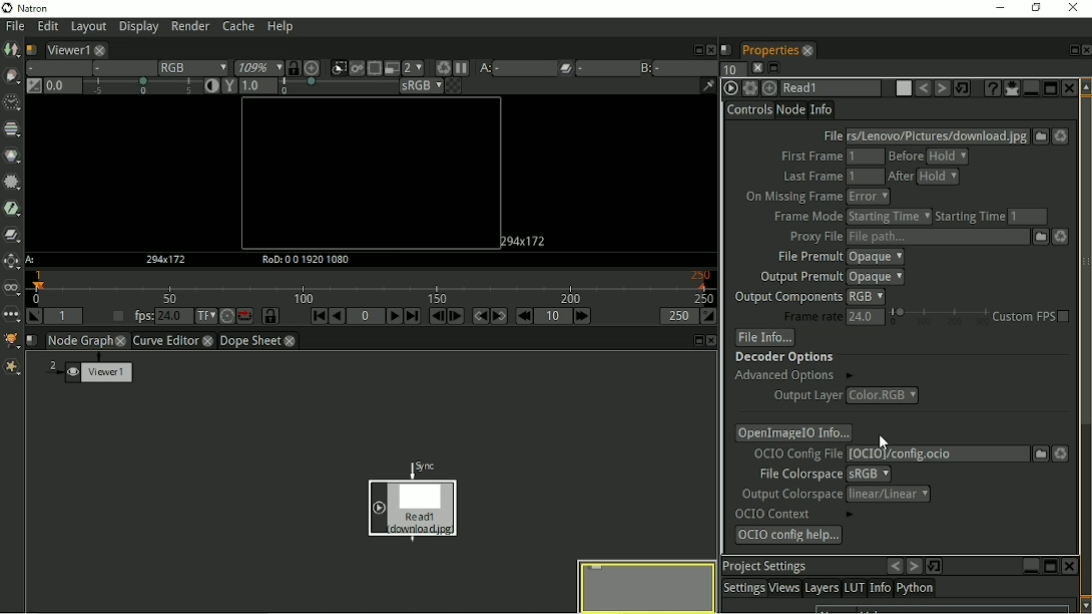 The width and height of the screenshot is (1092, 614). I want to click on File premult, so click(842, 257).